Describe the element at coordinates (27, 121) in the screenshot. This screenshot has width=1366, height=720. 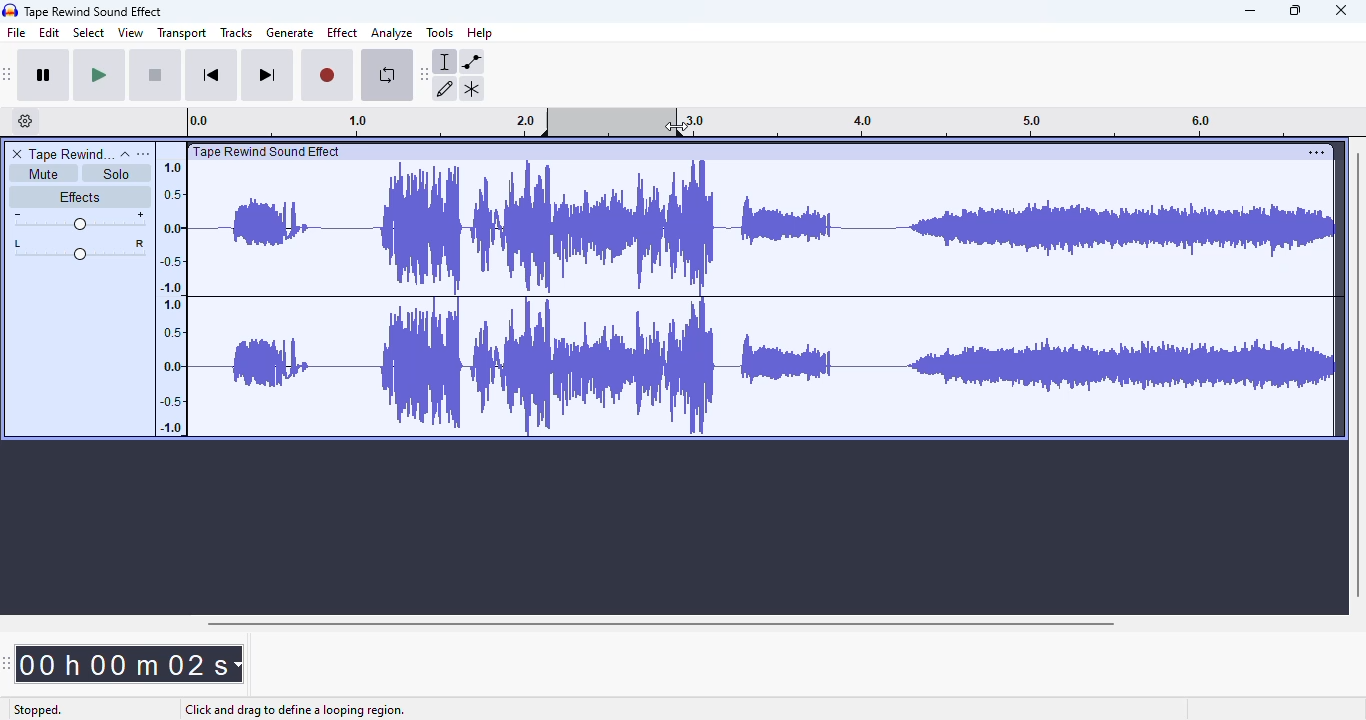
I see `timeline options` at that location.